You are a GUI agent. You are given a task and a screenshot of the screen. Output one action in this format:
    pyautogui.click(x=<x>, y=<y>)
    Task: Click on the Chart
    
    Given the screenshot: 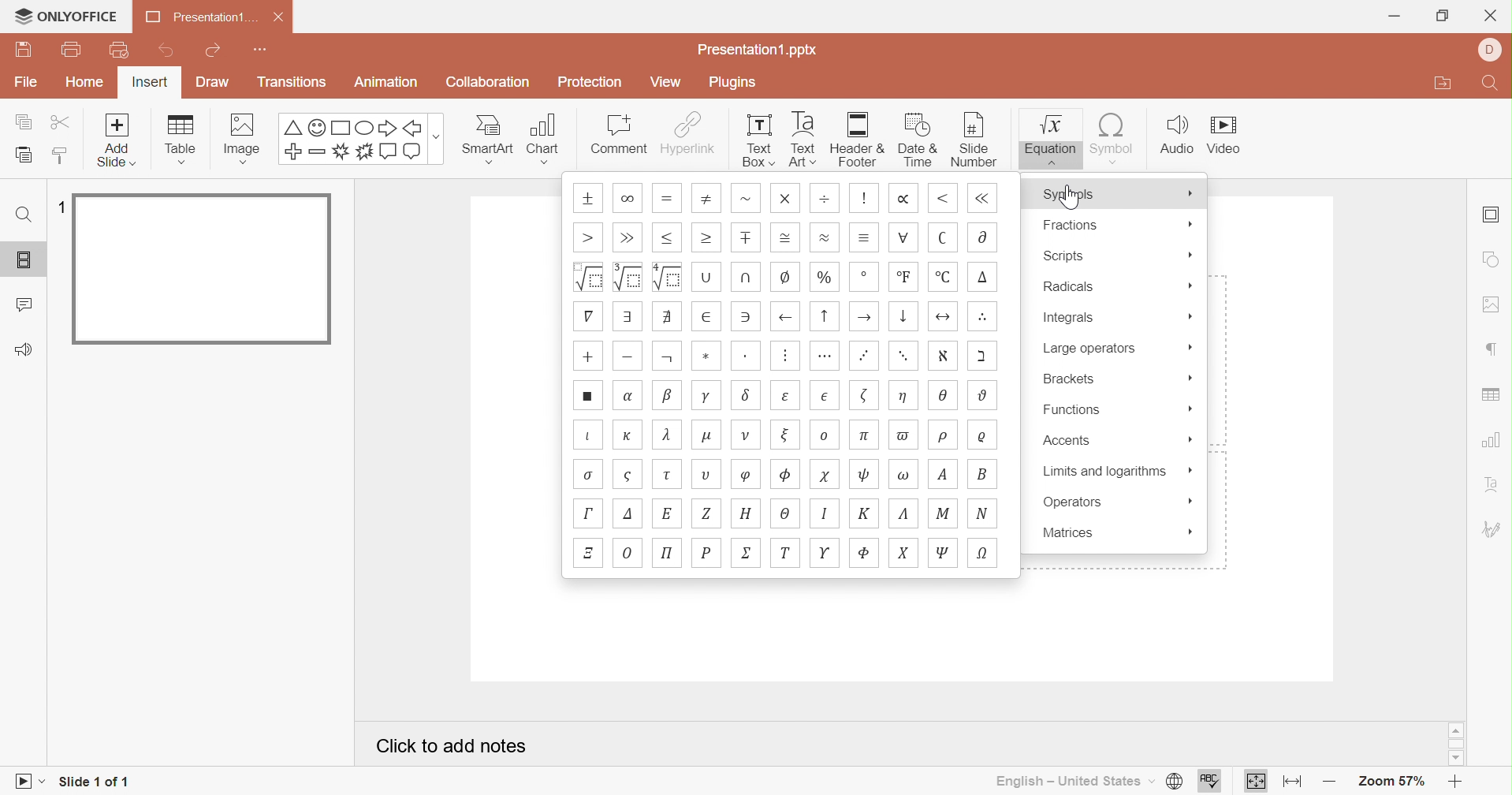 What is the action you would take?
    pyautogui.click(x=546, y=137)
    